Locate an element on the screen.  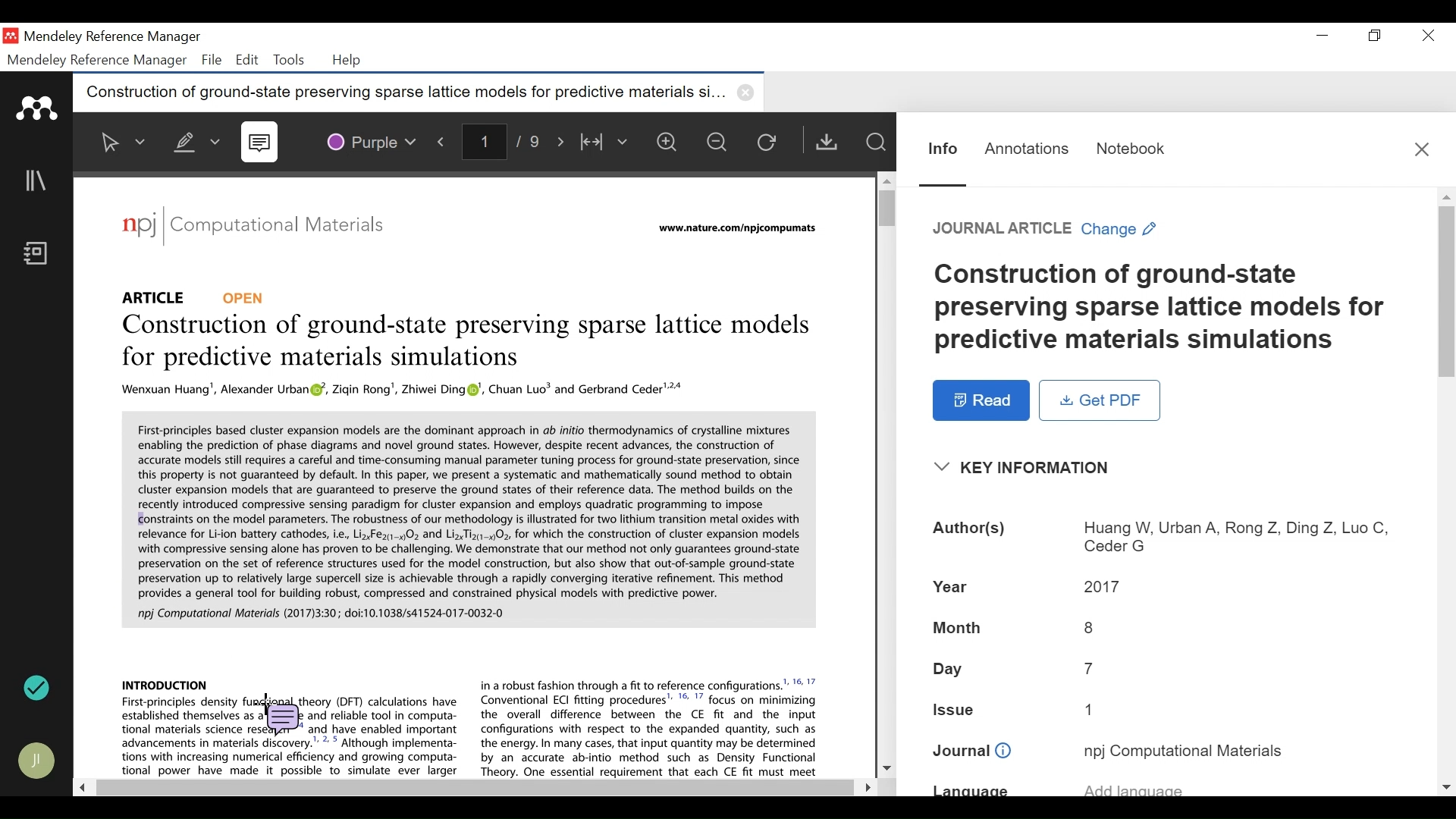
Reload is located at coordinates (773, 144).